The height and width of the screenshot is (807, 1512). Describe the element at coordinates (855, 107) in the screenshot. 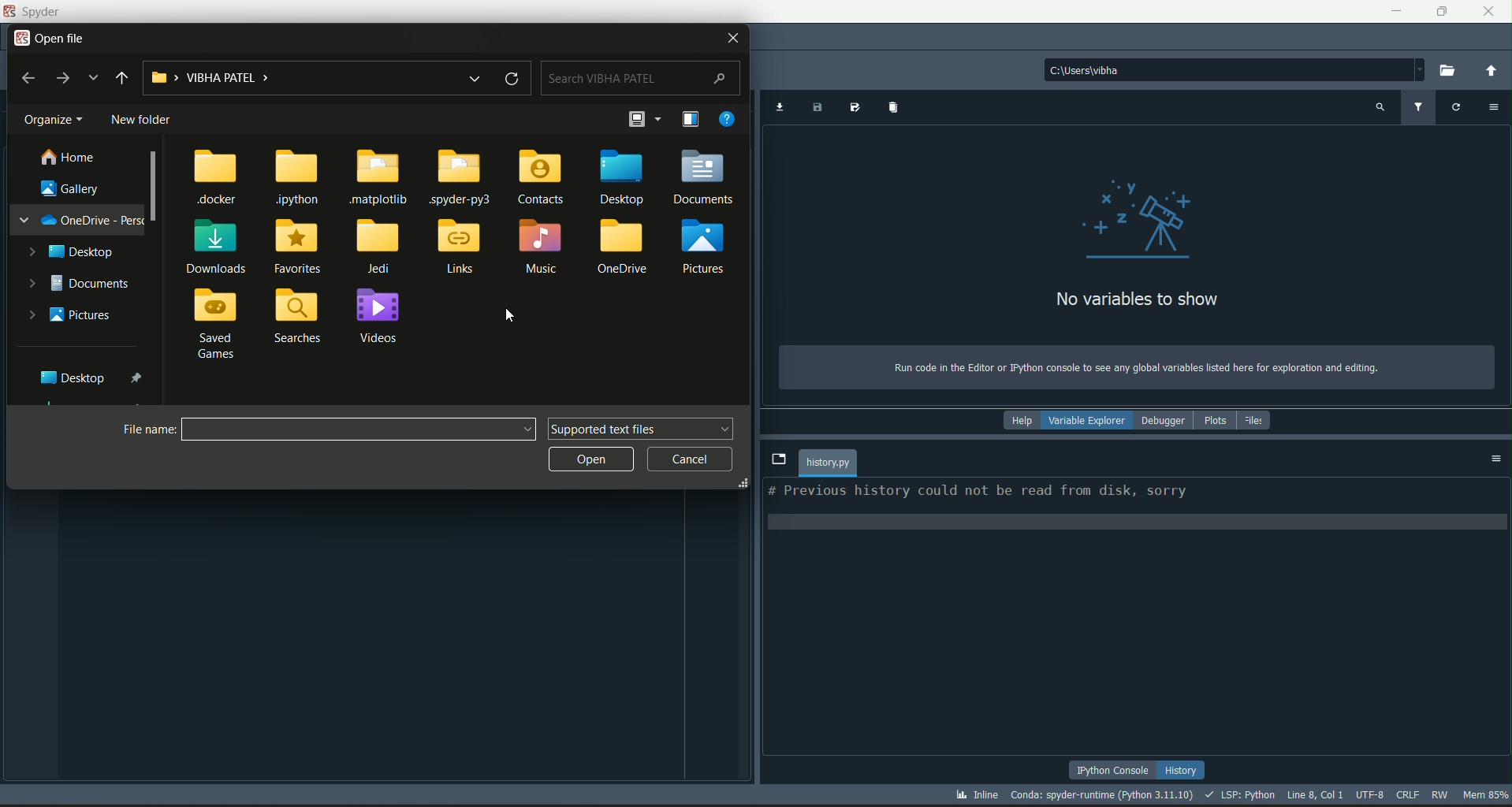

I see `save data as` at that location.